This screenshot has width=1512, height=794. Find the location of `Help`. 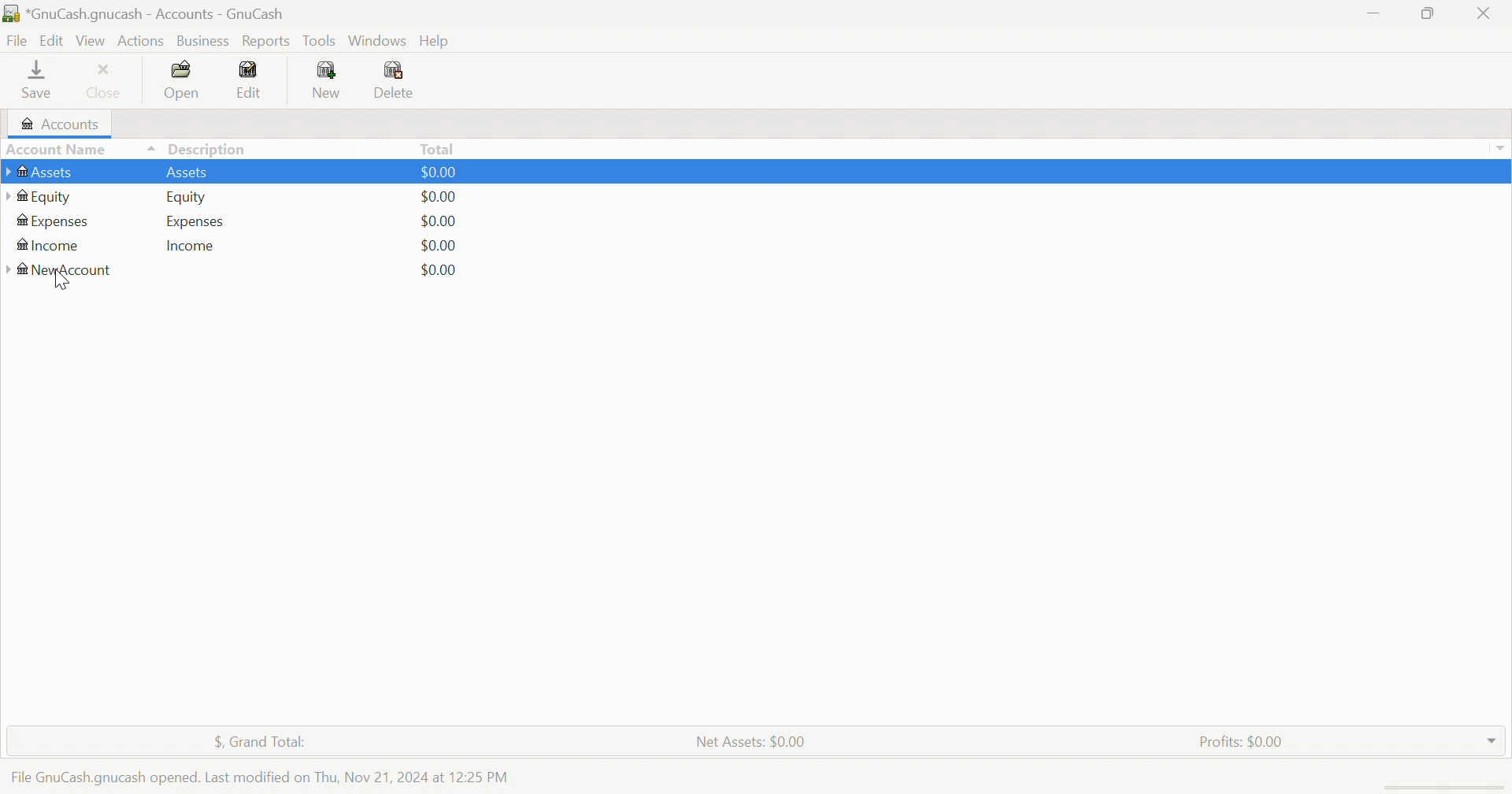

Help is located at coordinates (439, 41).